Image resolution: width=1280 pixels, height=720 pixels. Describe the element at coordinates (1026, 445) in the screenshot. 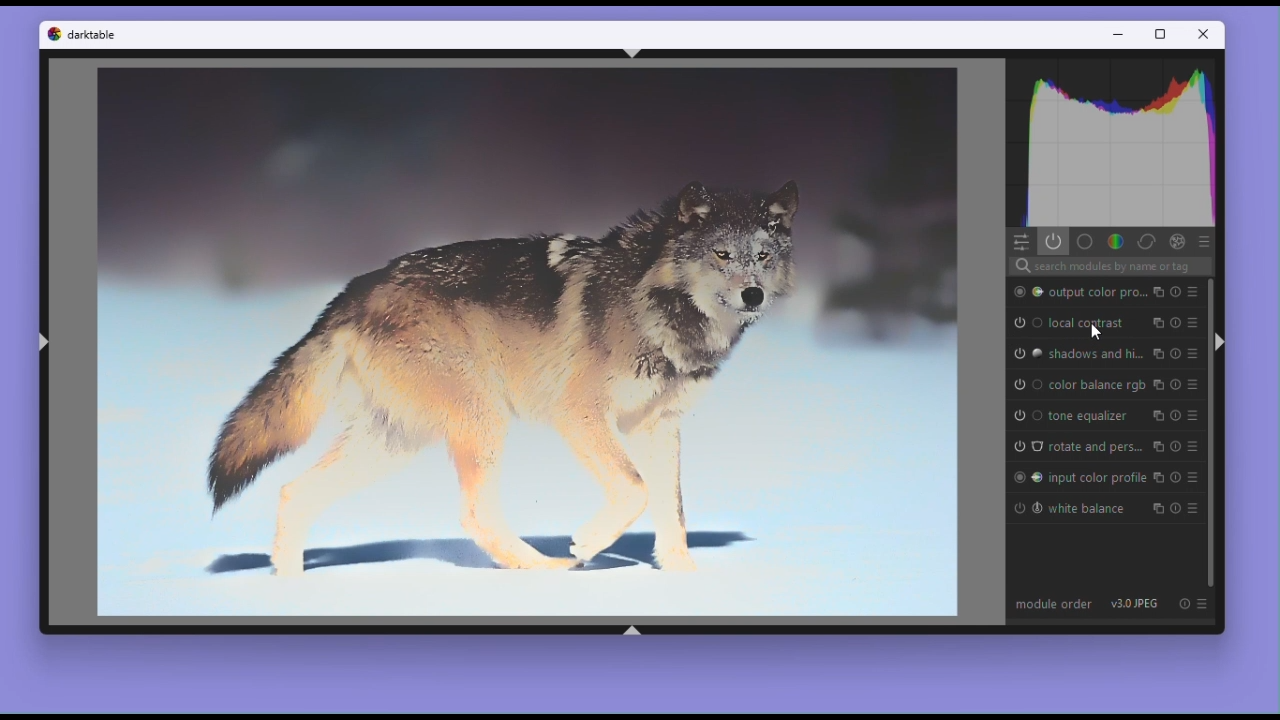

I see `'rotate and perspective' is switched off` at that location.